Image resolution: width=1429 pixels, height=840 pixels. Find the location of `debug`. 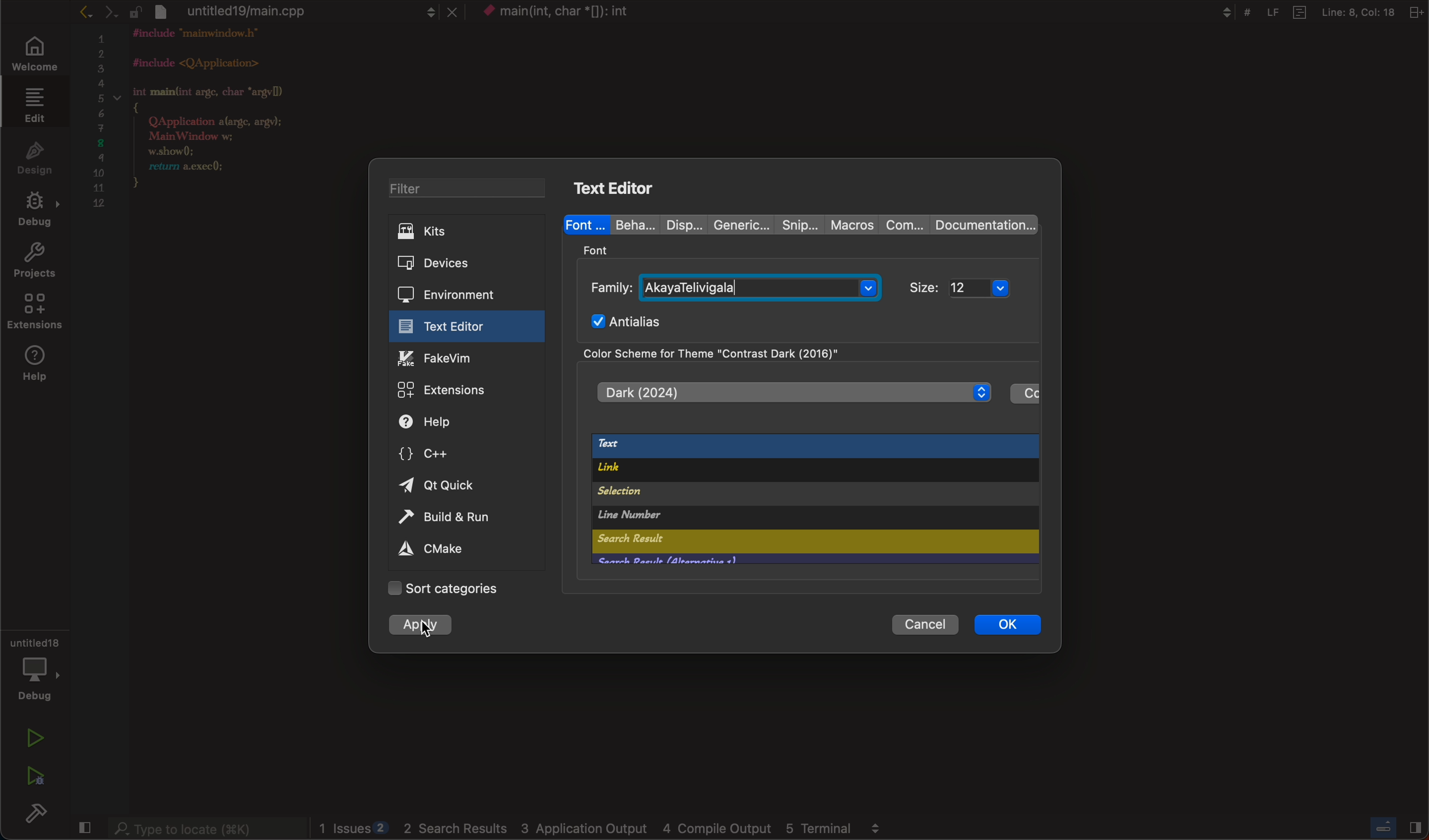

debug is located at coordinates (35, 673).